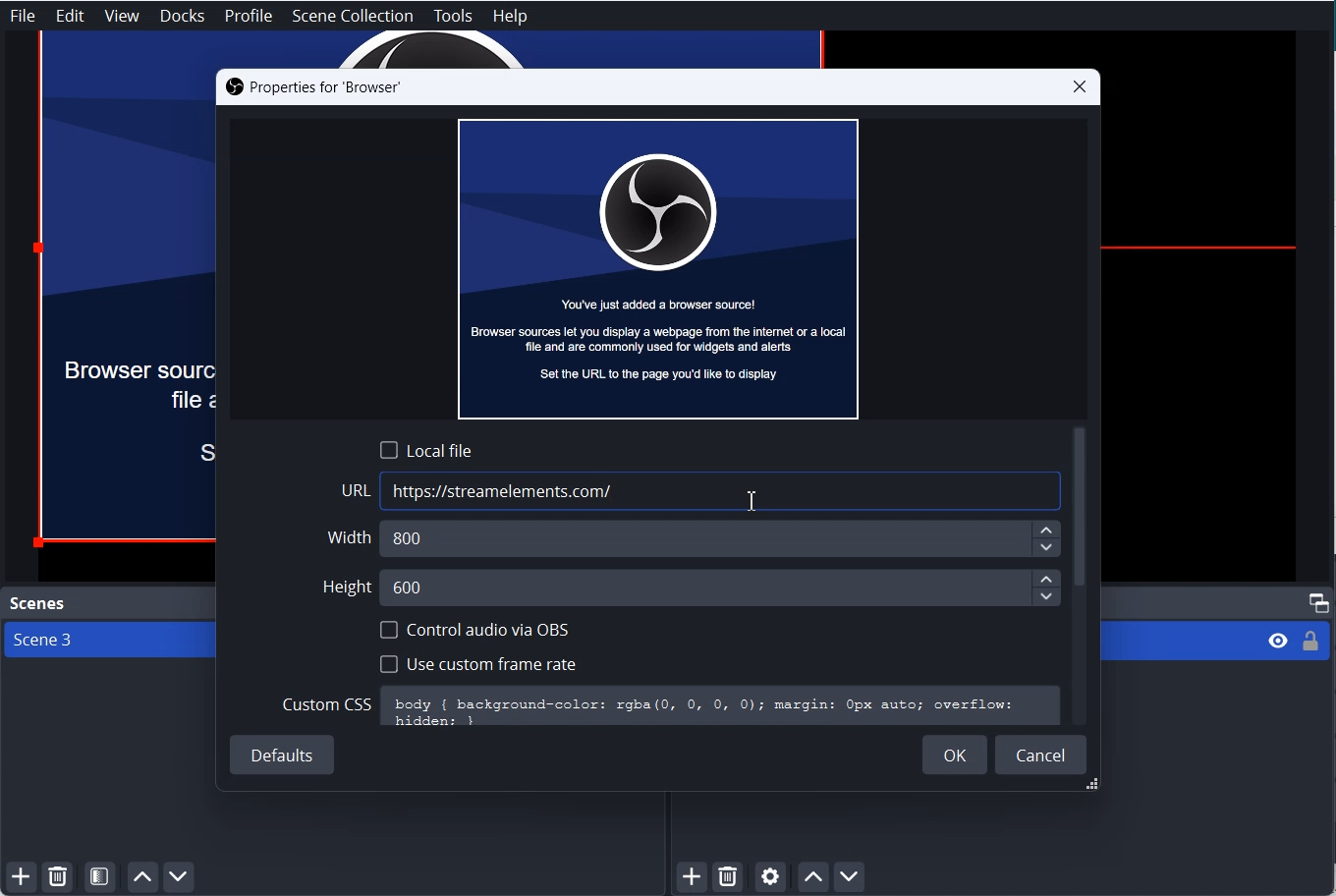  I want to click on Profile, so click(250, 17).